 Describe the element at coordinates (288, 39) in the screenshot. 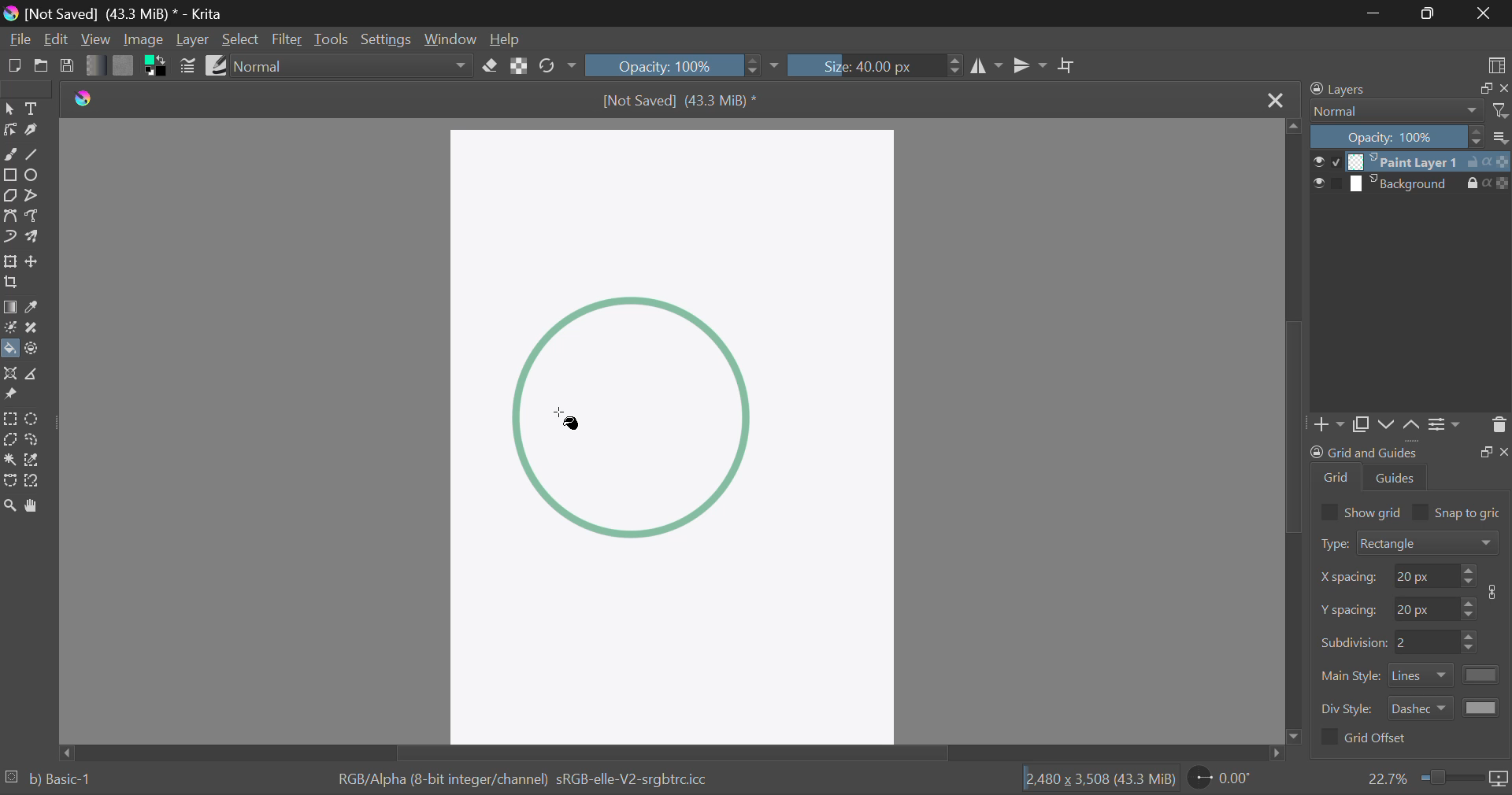

I see `Filter` at that location.